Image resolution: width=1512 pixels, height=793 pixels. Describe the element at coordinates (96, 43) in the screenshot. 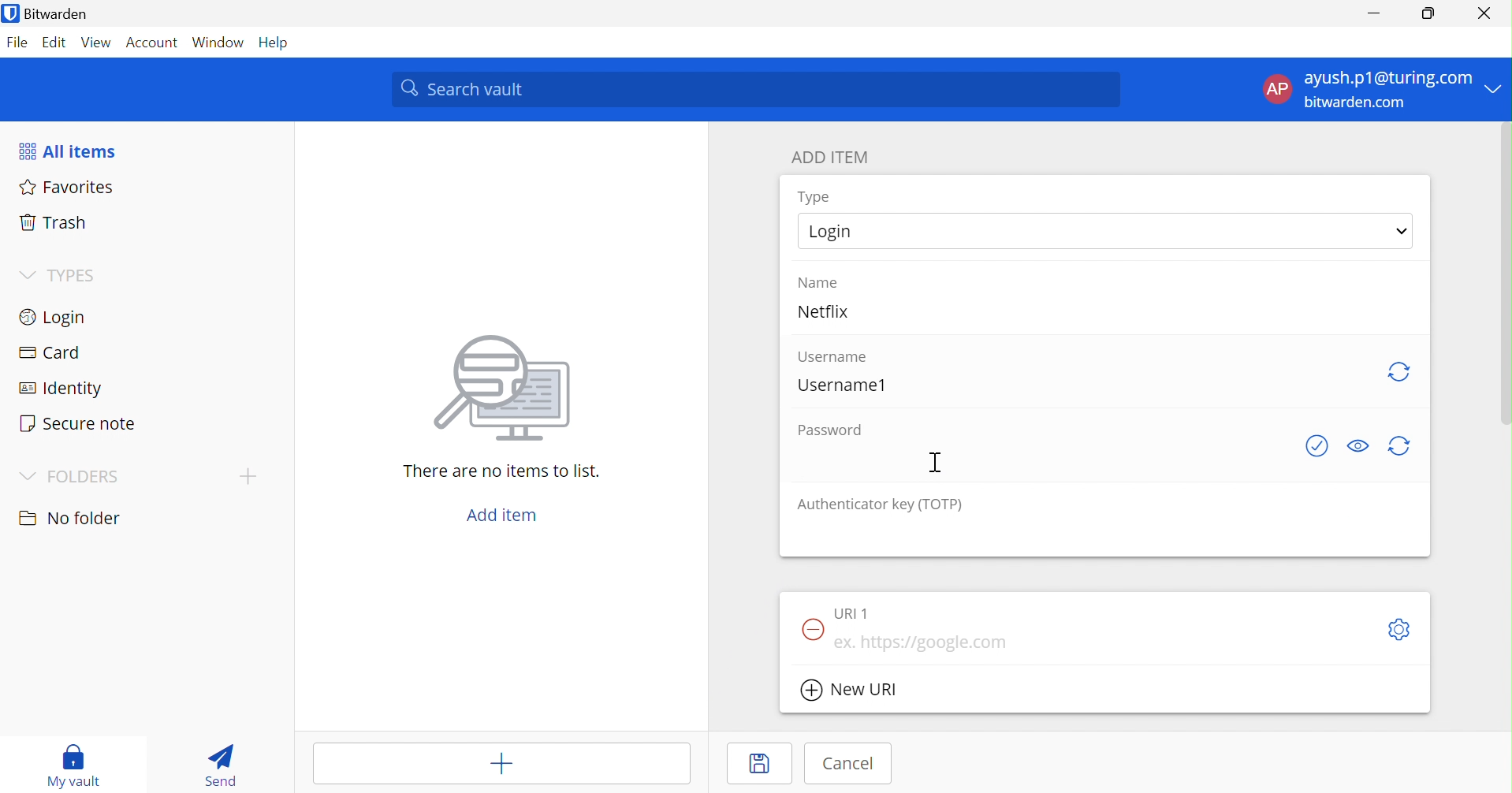

I see `View` at that location.